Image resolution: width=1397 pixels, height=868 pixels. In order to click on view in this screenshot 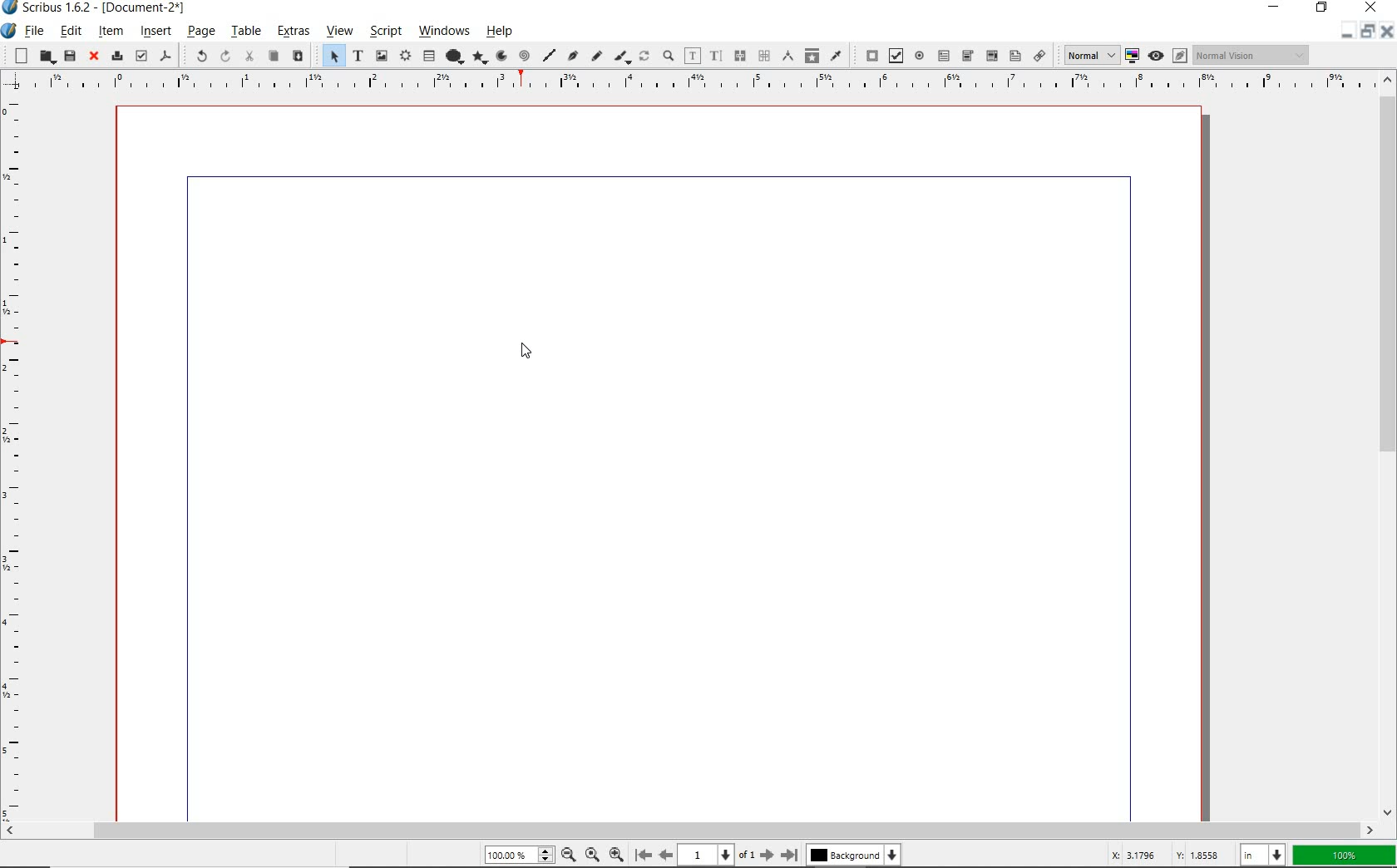, I will do `click(339, 32)`.